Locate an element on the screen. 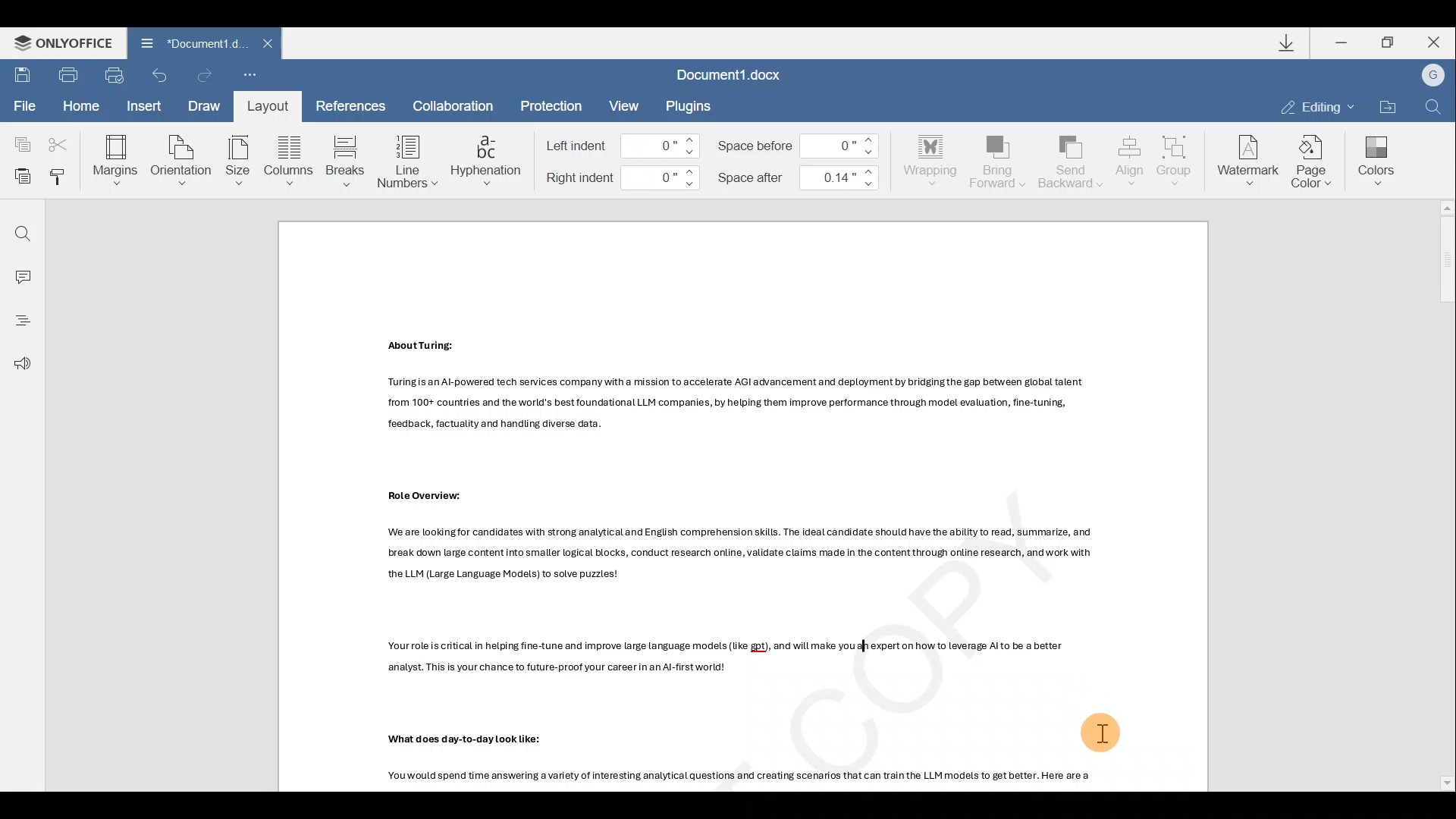 The image size is (1456, 819). Margins is located at coordinates (118, 157).